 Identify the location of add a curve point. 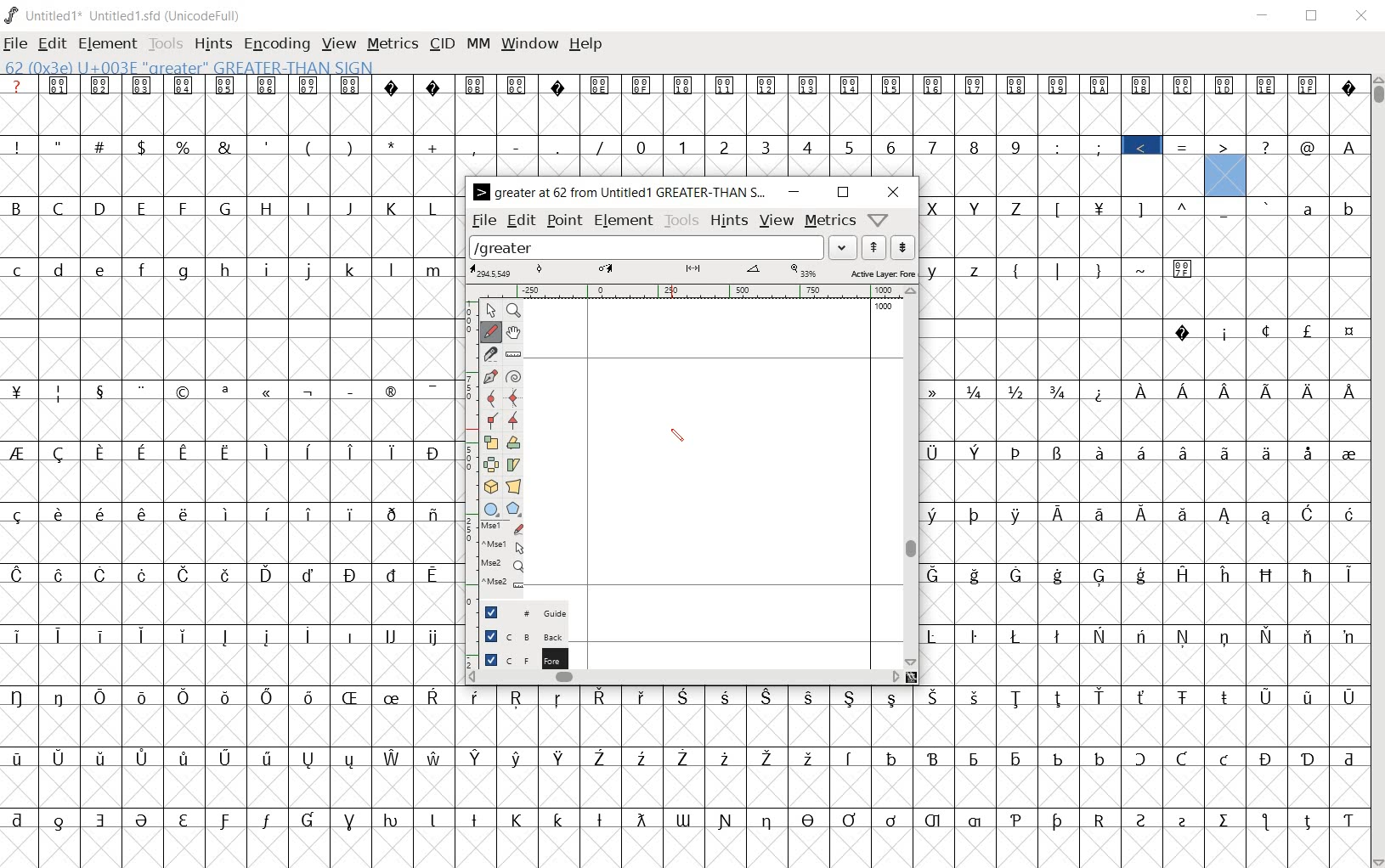
(491, 397).